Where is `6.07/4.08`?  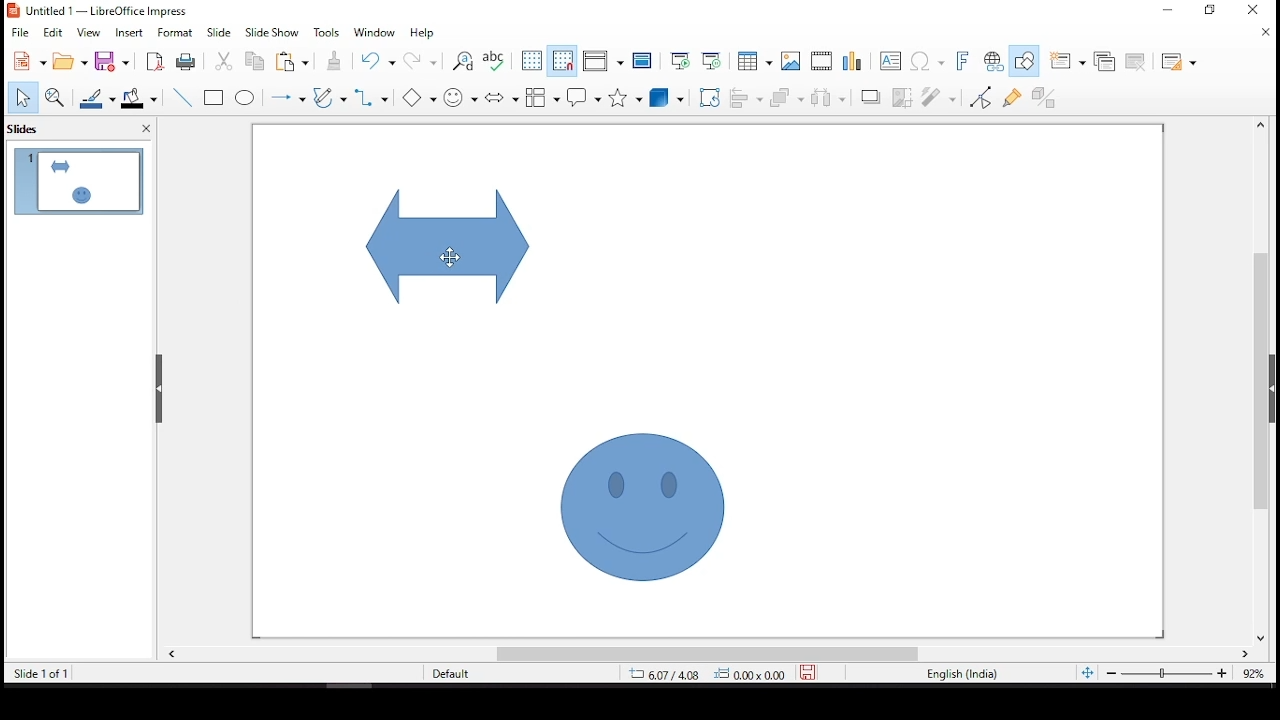
6.07/4.08 is located at coordinates (665, 674).